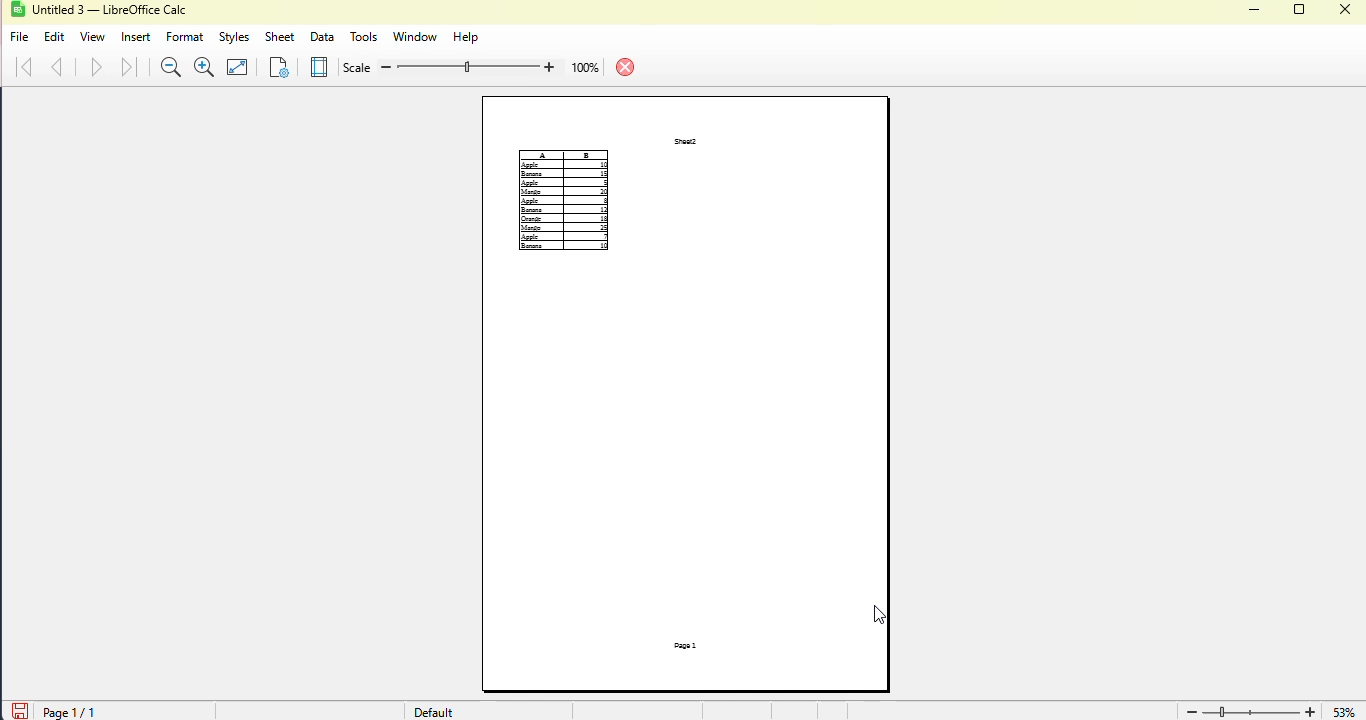 The width and height of the screenshot is (1366, 720). I want to click on first page, so click(24, 67).